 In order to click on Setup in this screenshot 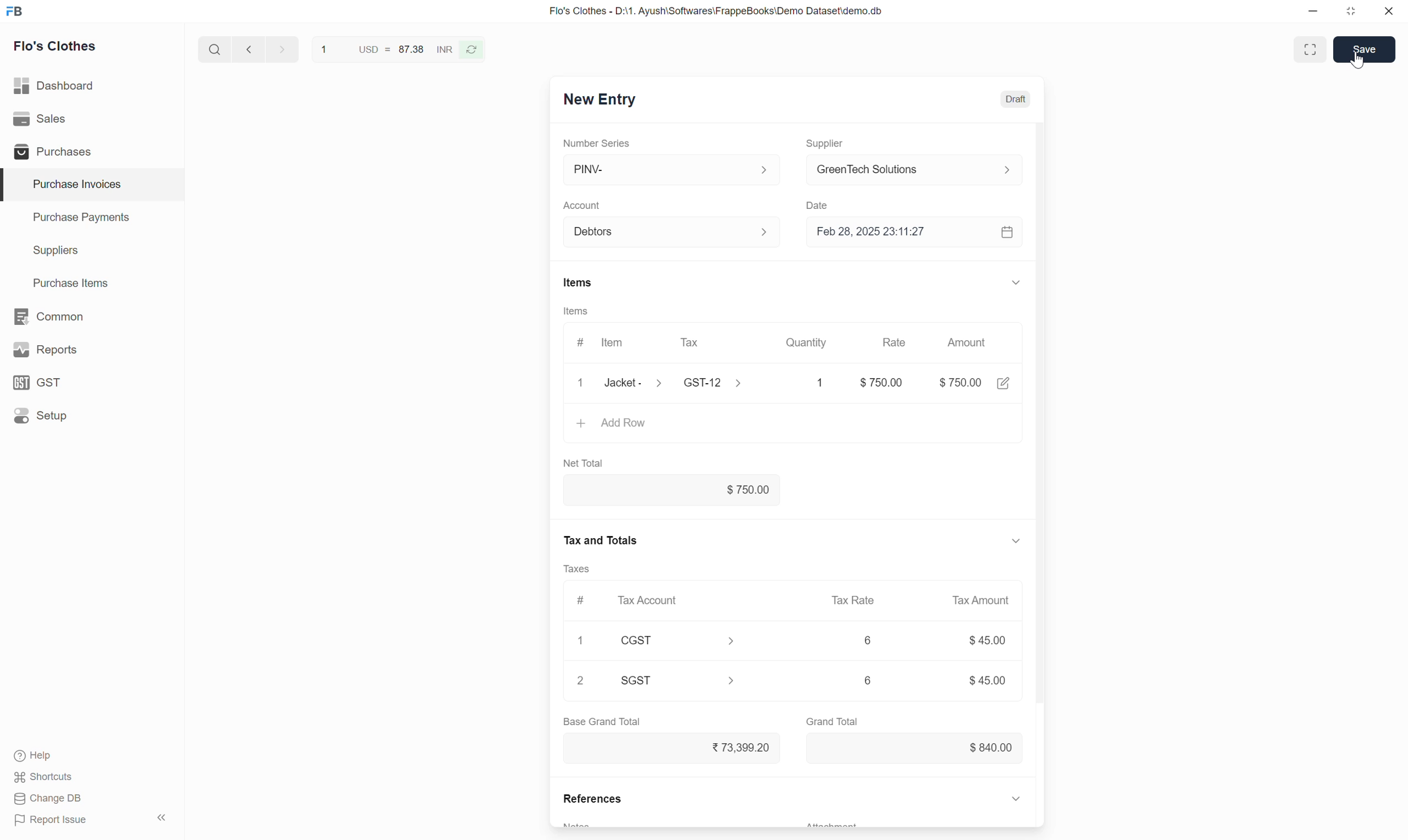, I will do `click(91, 415)`.